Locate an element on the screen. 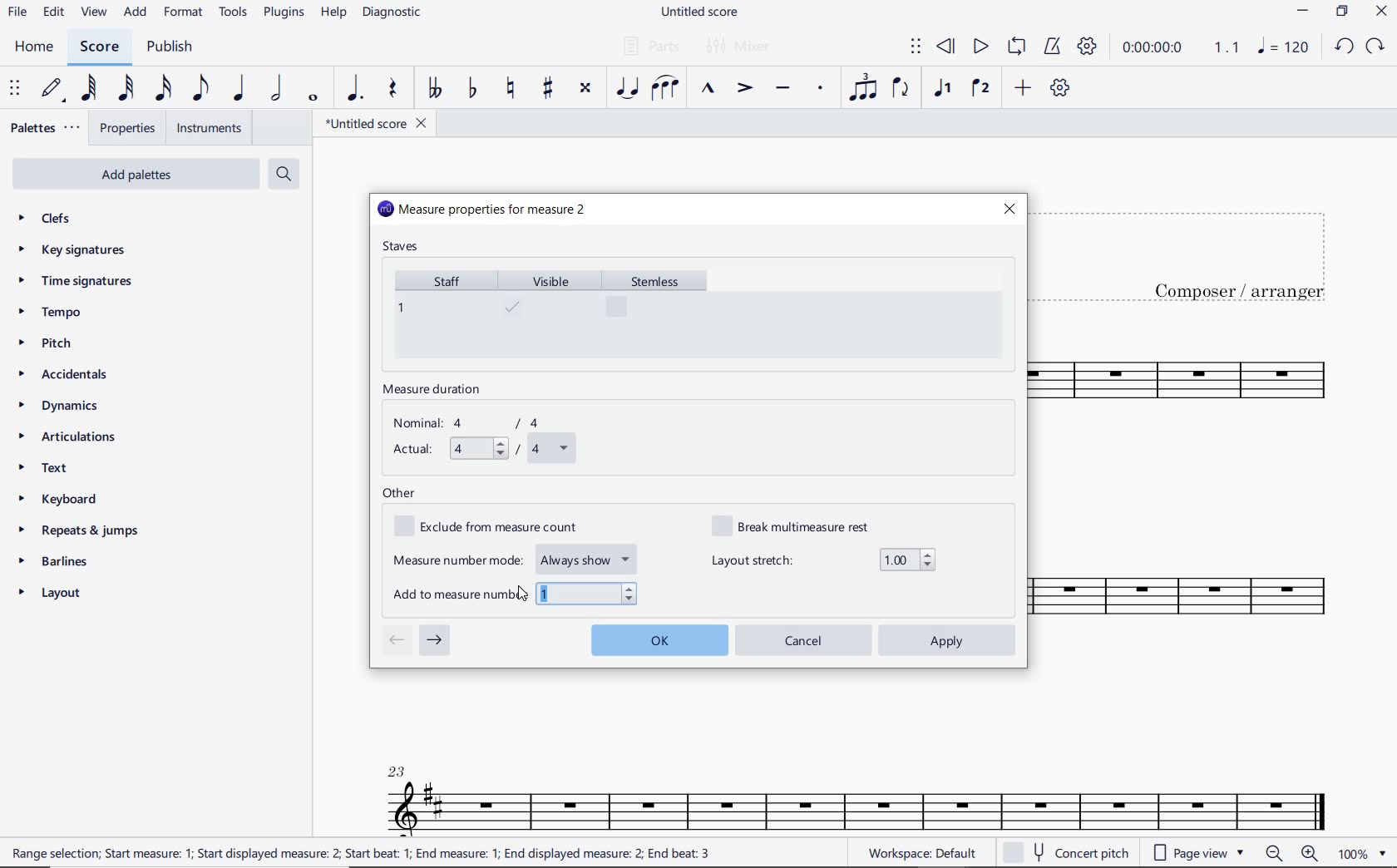 This screenshot has width=1397, height=868. TOGGLE-DOUBLE FLAT is located at coordinates (434, 88).